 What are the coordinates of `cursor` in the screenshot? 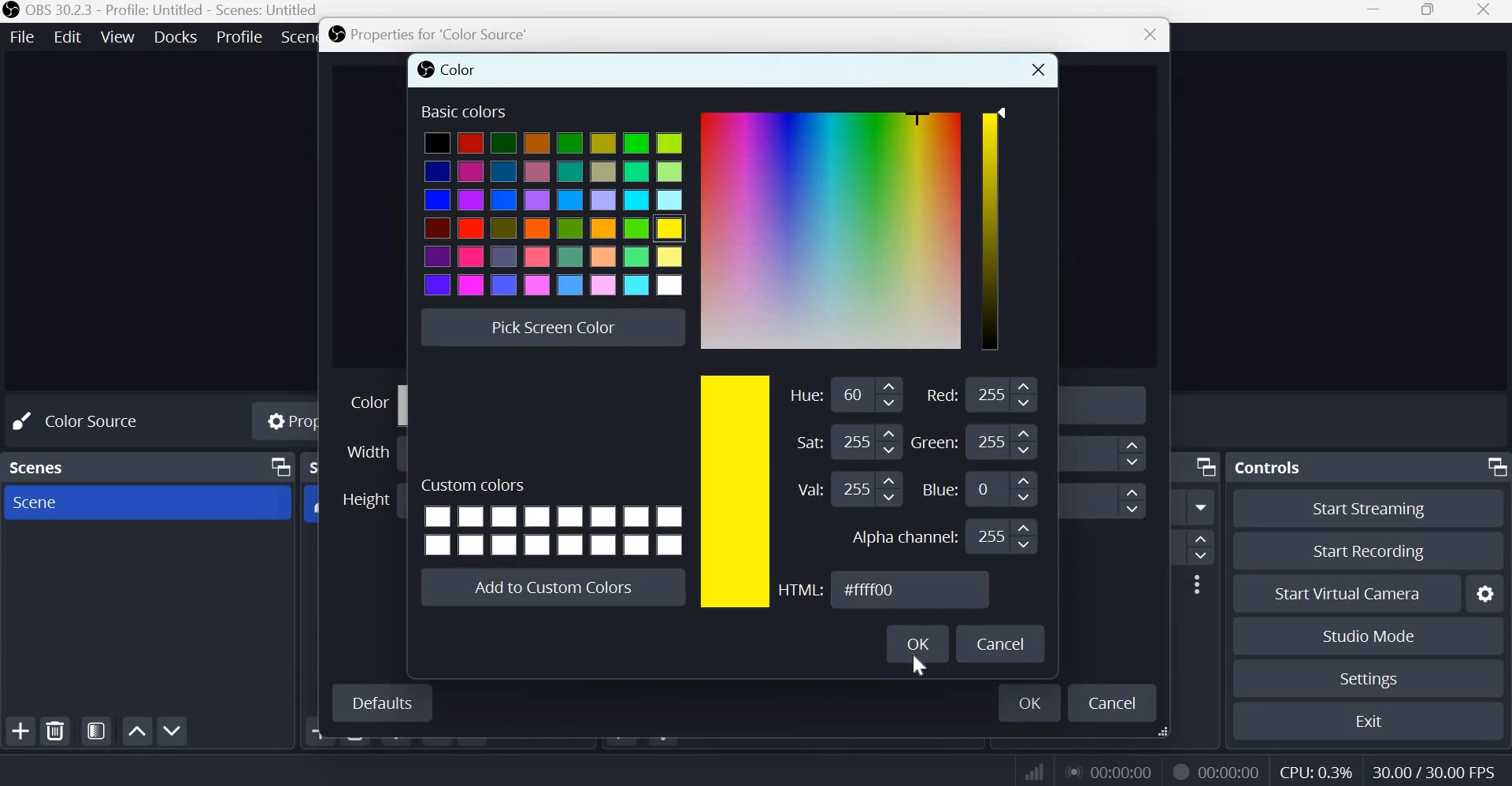 It's located at (920, 665).